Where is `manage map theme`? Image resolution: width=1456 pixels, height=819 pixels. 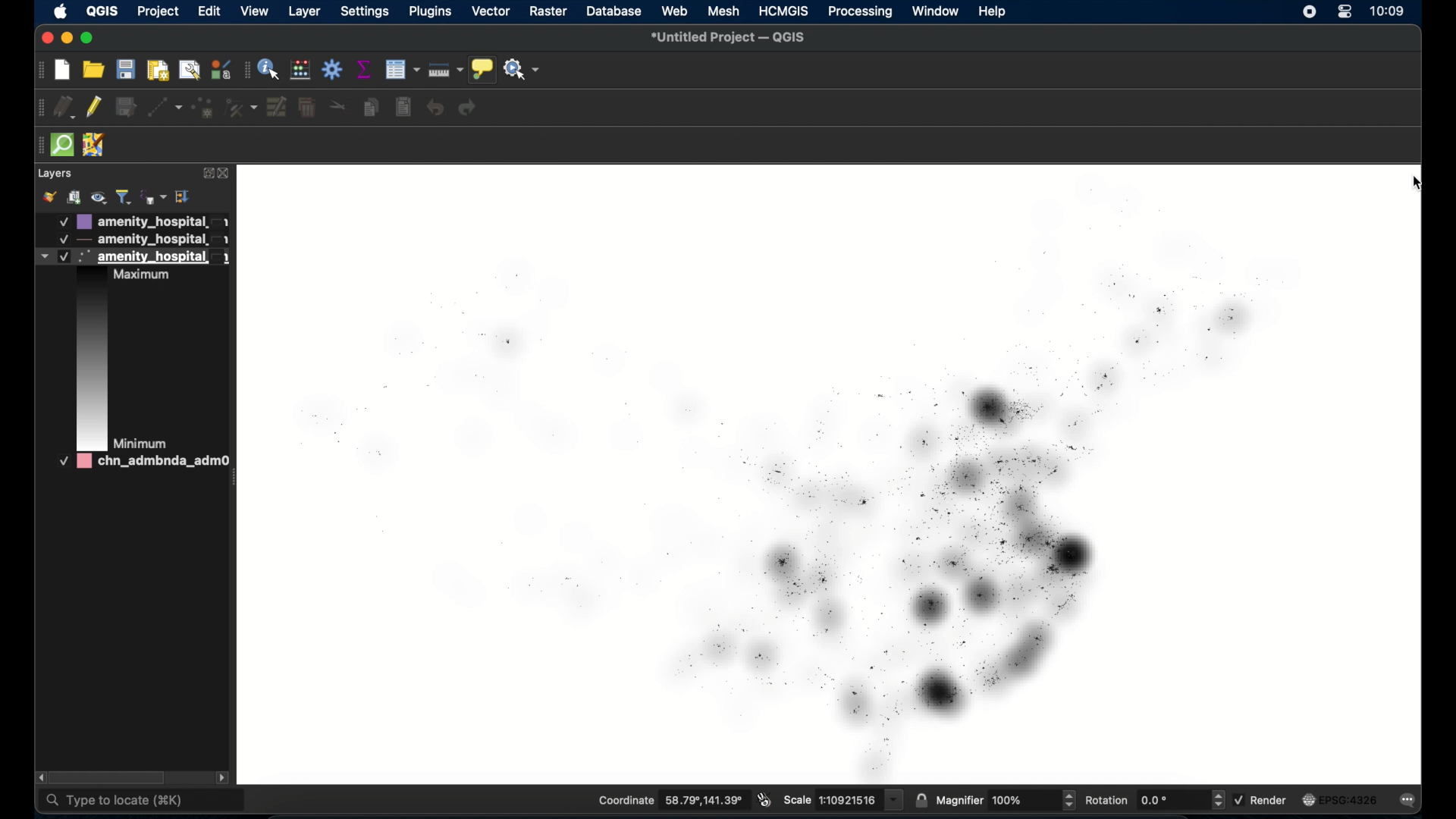 manage map theme is located at coordinates (101, 197).